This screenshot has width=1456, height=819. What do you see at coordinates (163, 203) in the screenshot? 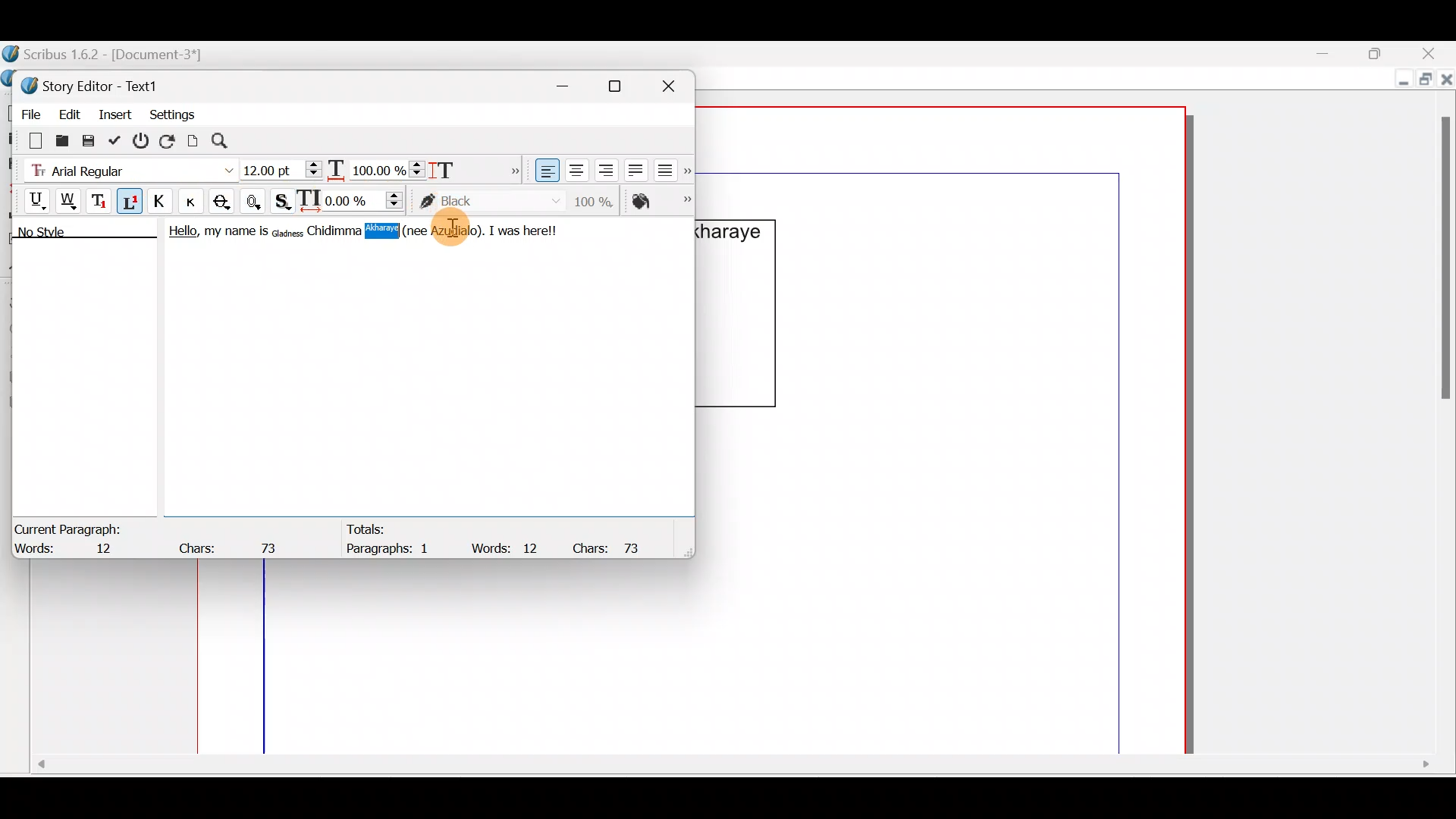
I see `All caps` at bounding box center [163, 203].